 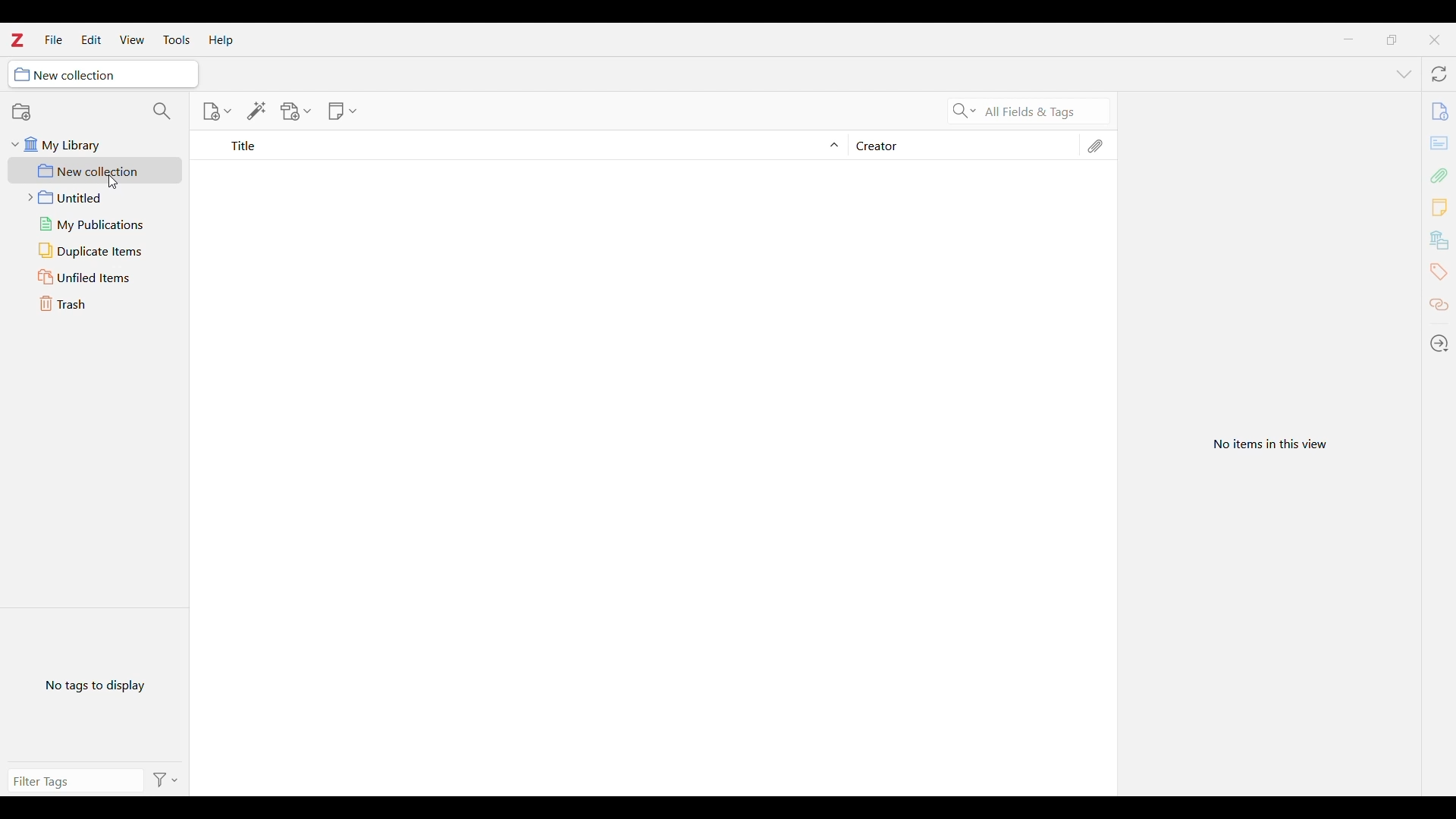 What do you see at coordinates (1439, 207) in the screenshot?
I see `Add new note` at bounding box center [1439, 207].